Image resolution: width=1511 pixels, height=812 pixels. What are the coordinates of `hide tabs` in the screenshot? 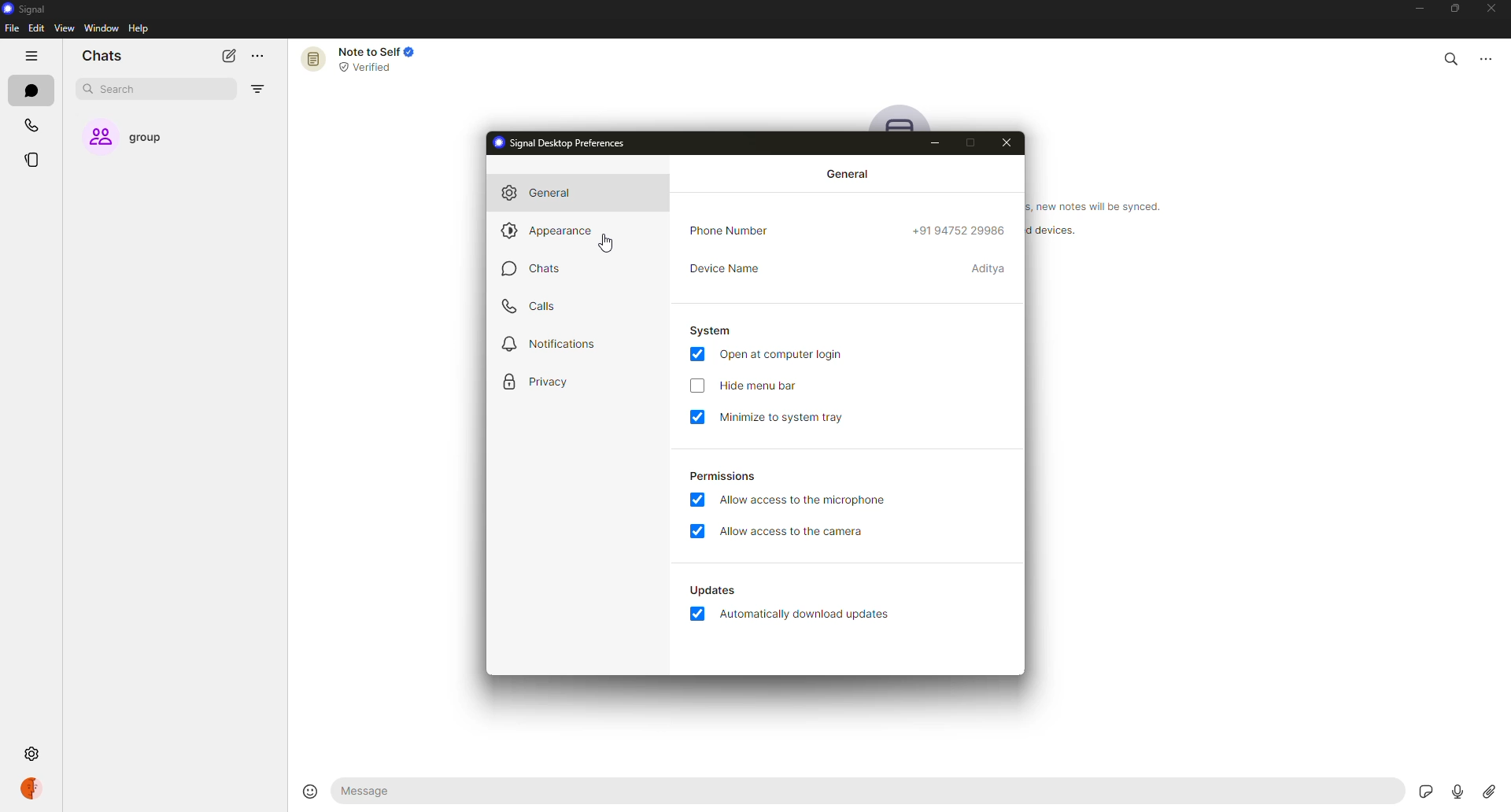 It's located at (33, 57).